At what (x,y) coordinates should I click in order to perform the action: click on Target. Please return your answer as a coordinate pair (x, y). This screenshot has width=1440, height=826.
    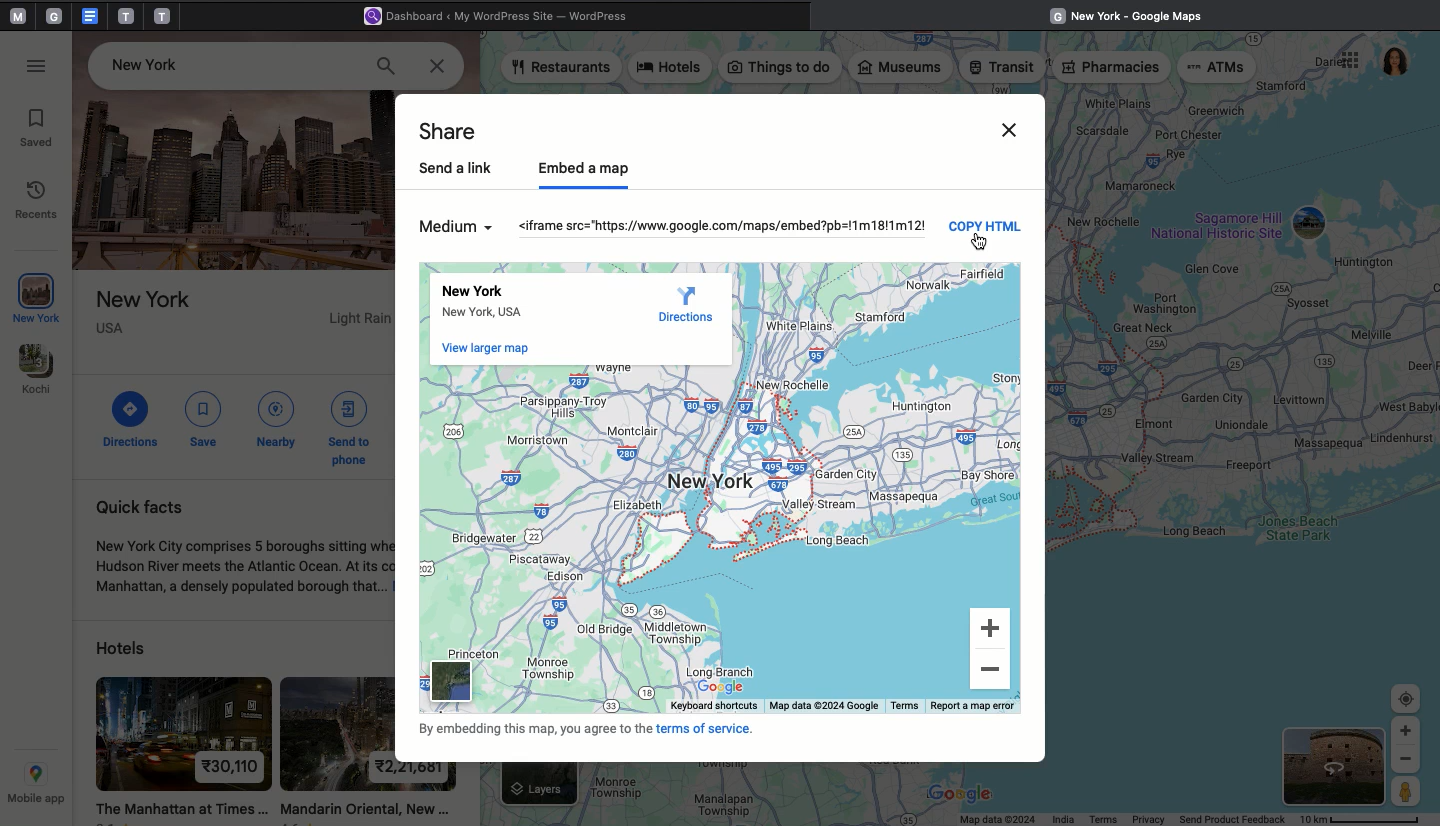
    Looking at the image, I should click on (1406, 700).